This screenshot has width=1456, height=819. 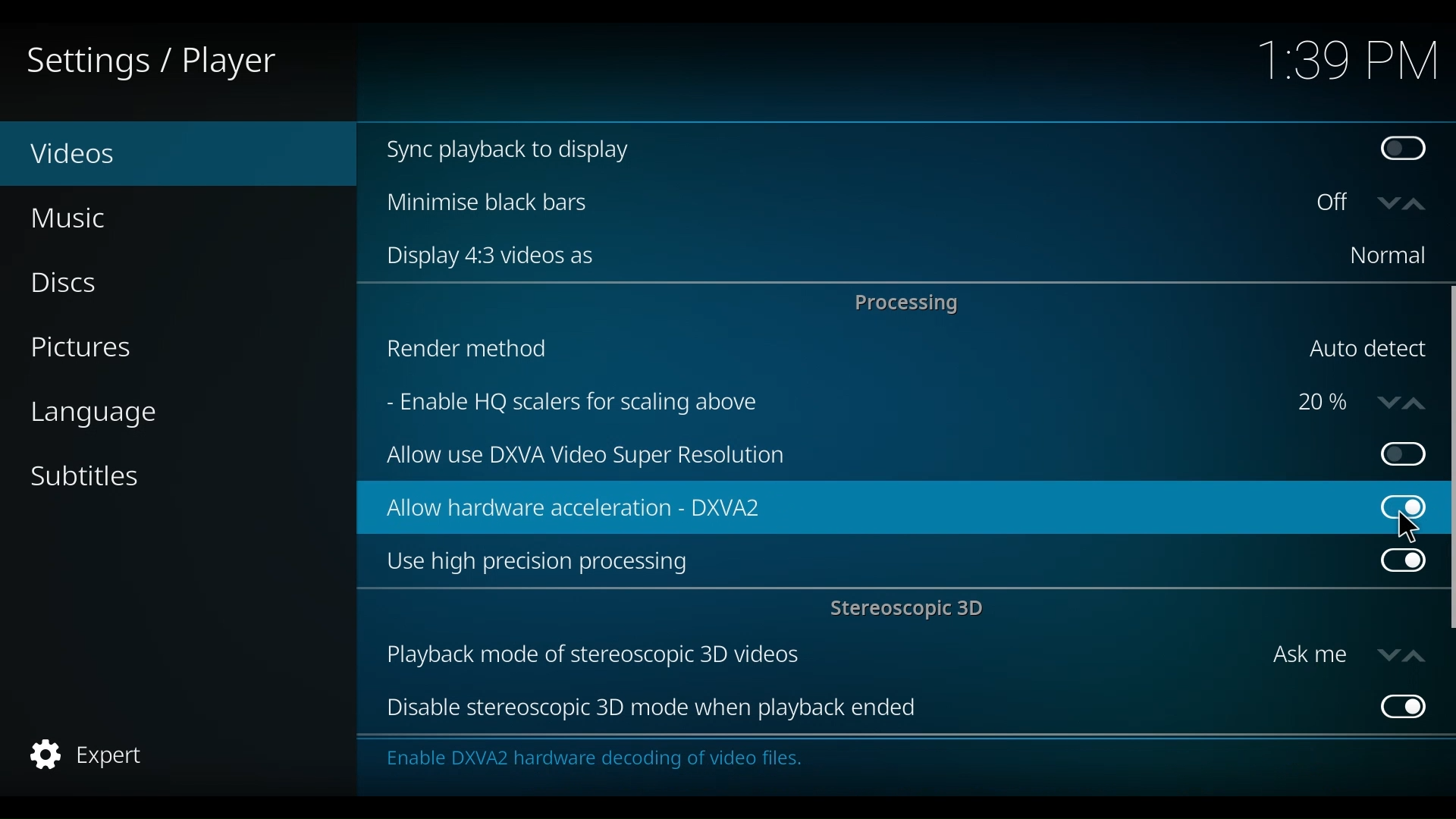 I want to click on Allow hardware acceleration -DXVA2, so click(x=854, y=508).